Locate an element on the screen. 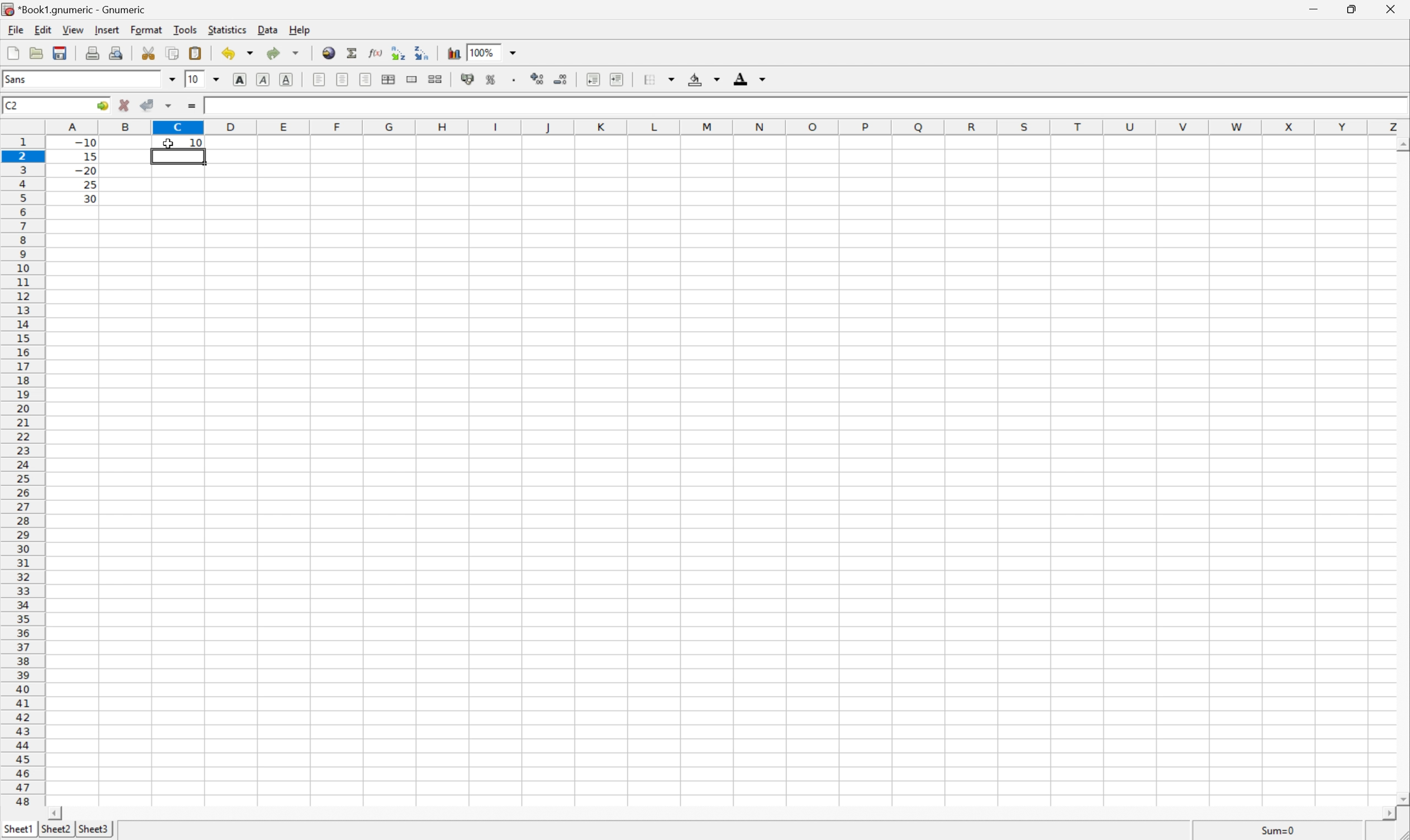  Insert hyperlink is located at coordinates (327, 52).